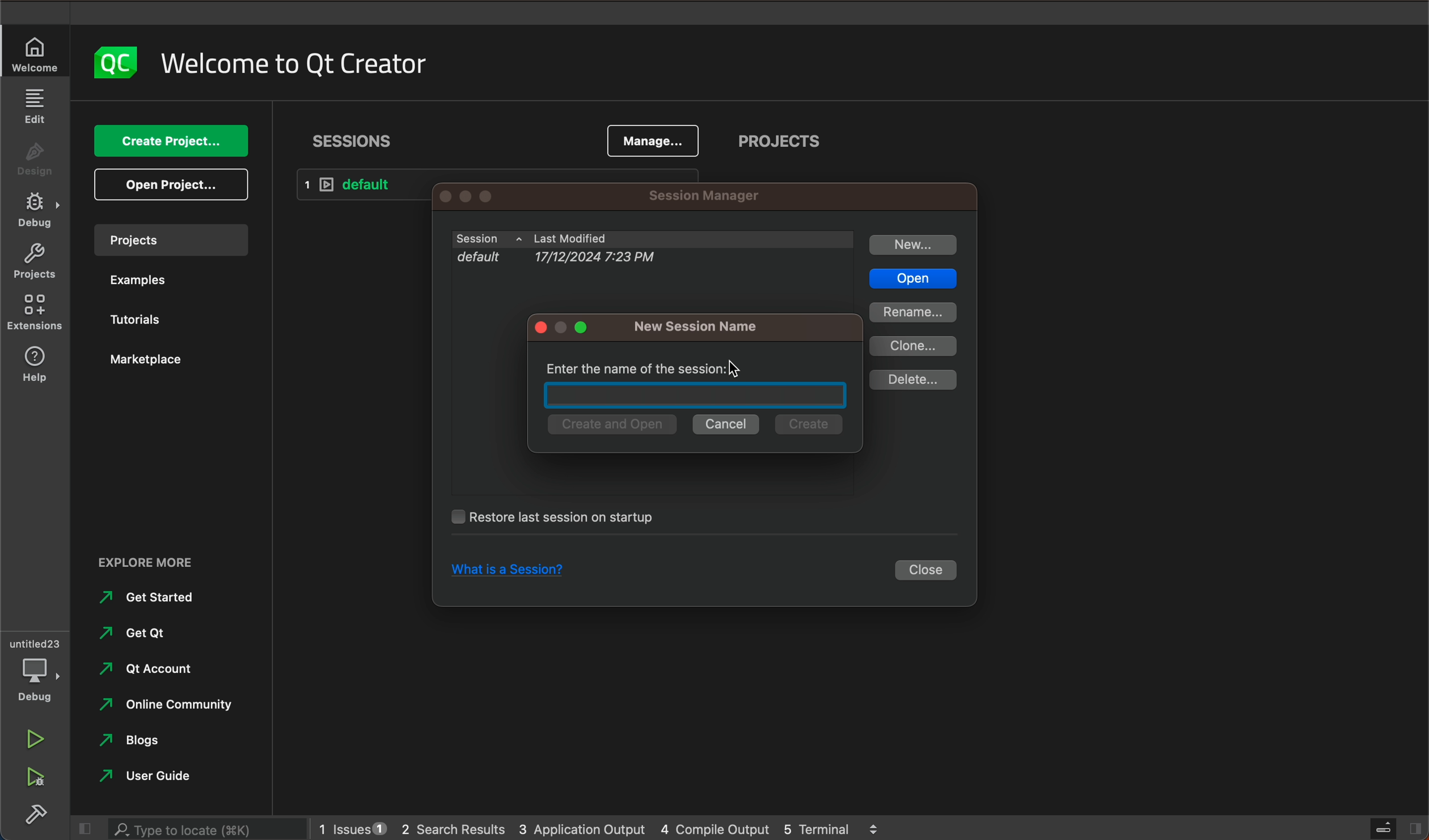 The width and height of the screenshot is (1429, 840). Describe the element at coordinates (175, 185) in the screenshot. I see `open project` at that location.